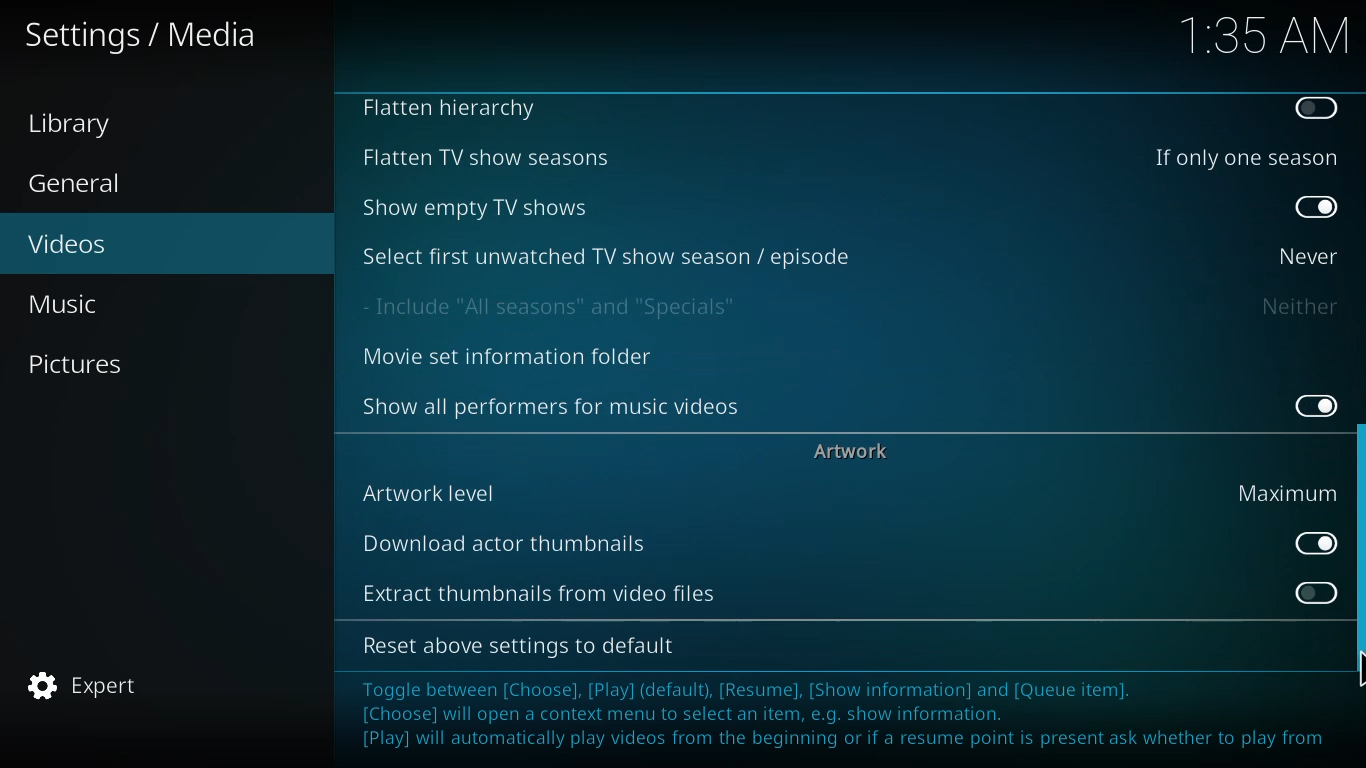  What do you see at coordinates (1242, 156) in the screenshot?
I see `if only one season` at bounding box center [1242, 156].